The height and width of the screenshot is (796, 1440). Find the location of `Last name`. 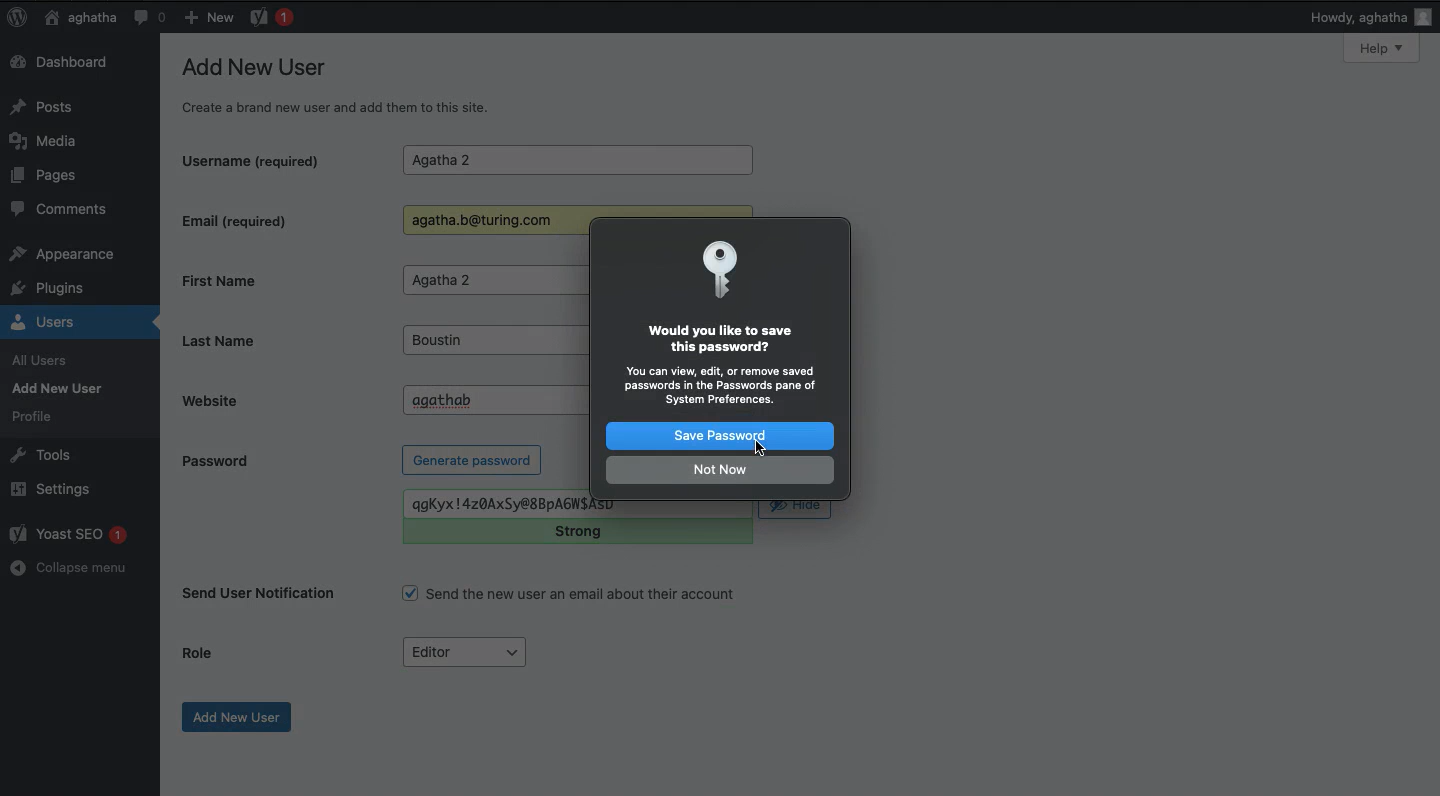

Last name is located at coordinates (236, 340).